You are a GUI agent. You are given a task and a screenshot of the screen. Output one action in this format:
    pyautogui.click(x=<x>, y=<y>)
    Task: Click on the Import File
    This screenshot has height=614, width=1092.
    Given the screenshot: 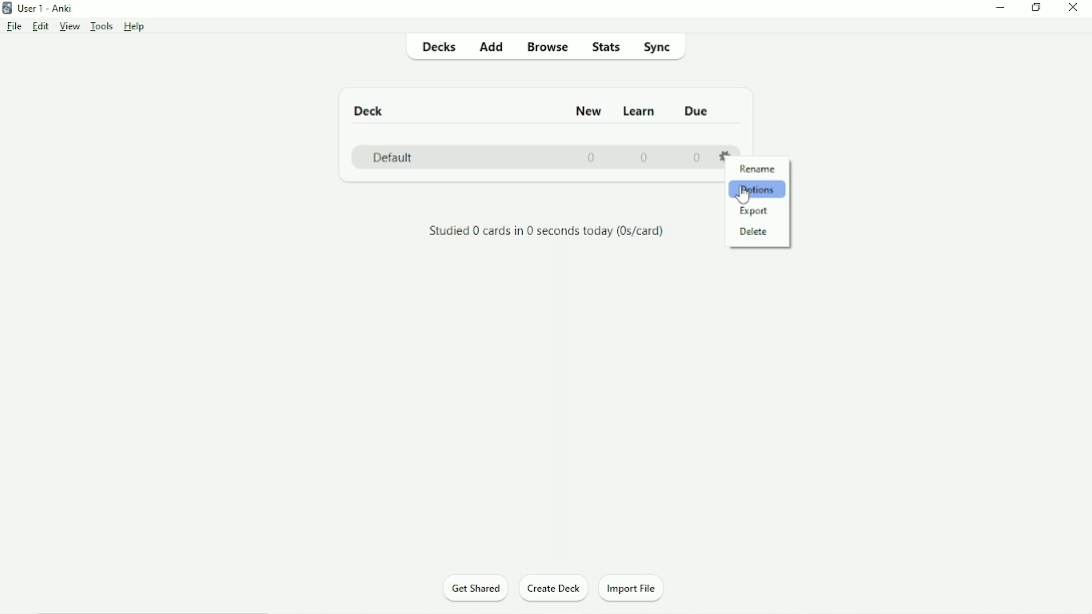 What is the action you would take?
    pyautogui.click(x=640, y=589)
    